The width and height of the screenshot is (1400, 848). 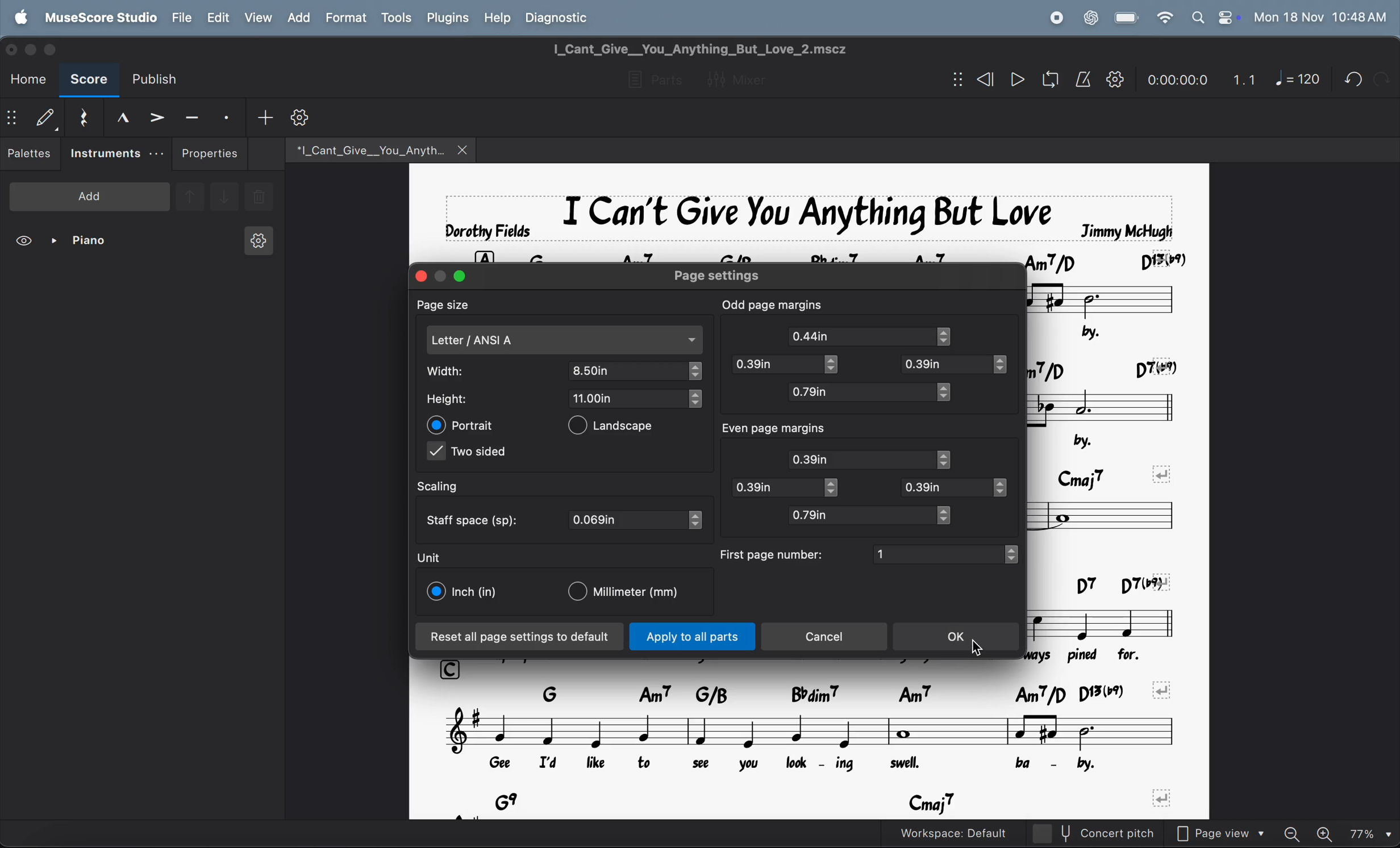 What do you see at coordinates (809, 336) in the screenshot?
I see `0.44 in` at bounding box center [809, 336].